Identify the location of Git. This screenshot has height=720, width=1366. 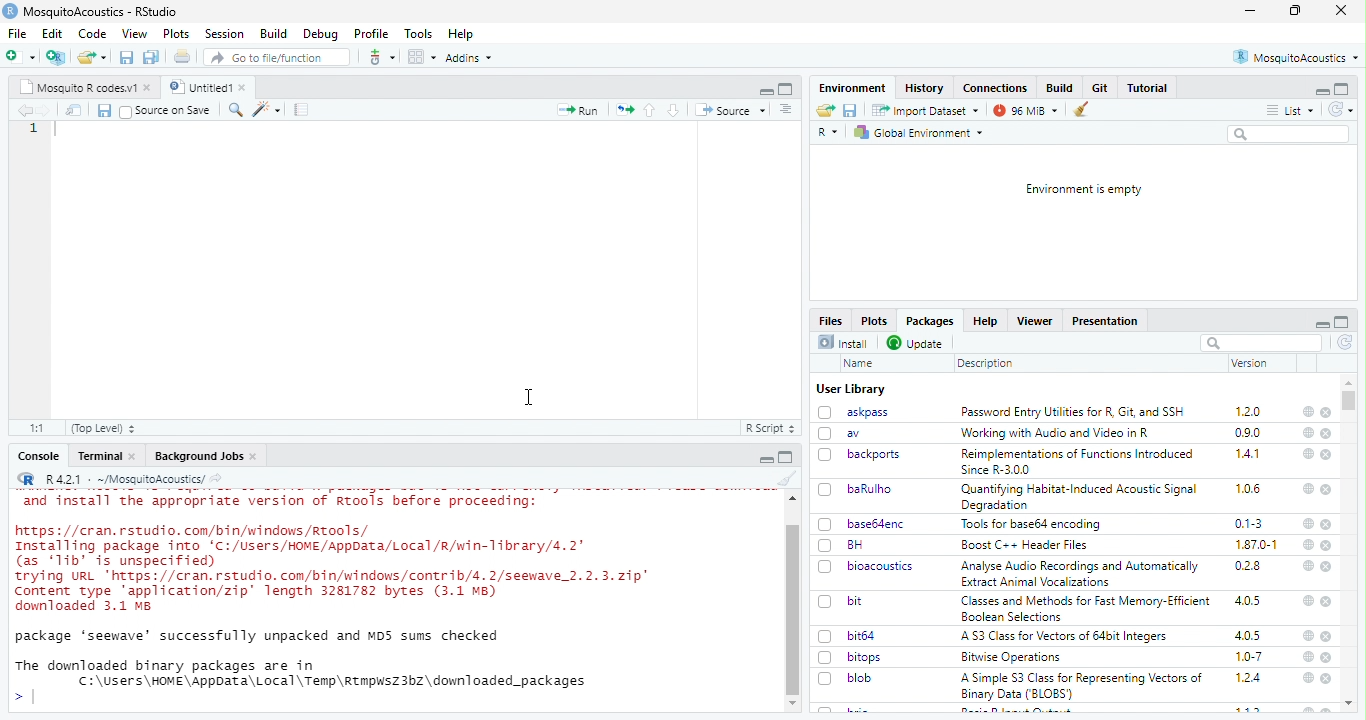
(1102, 87).